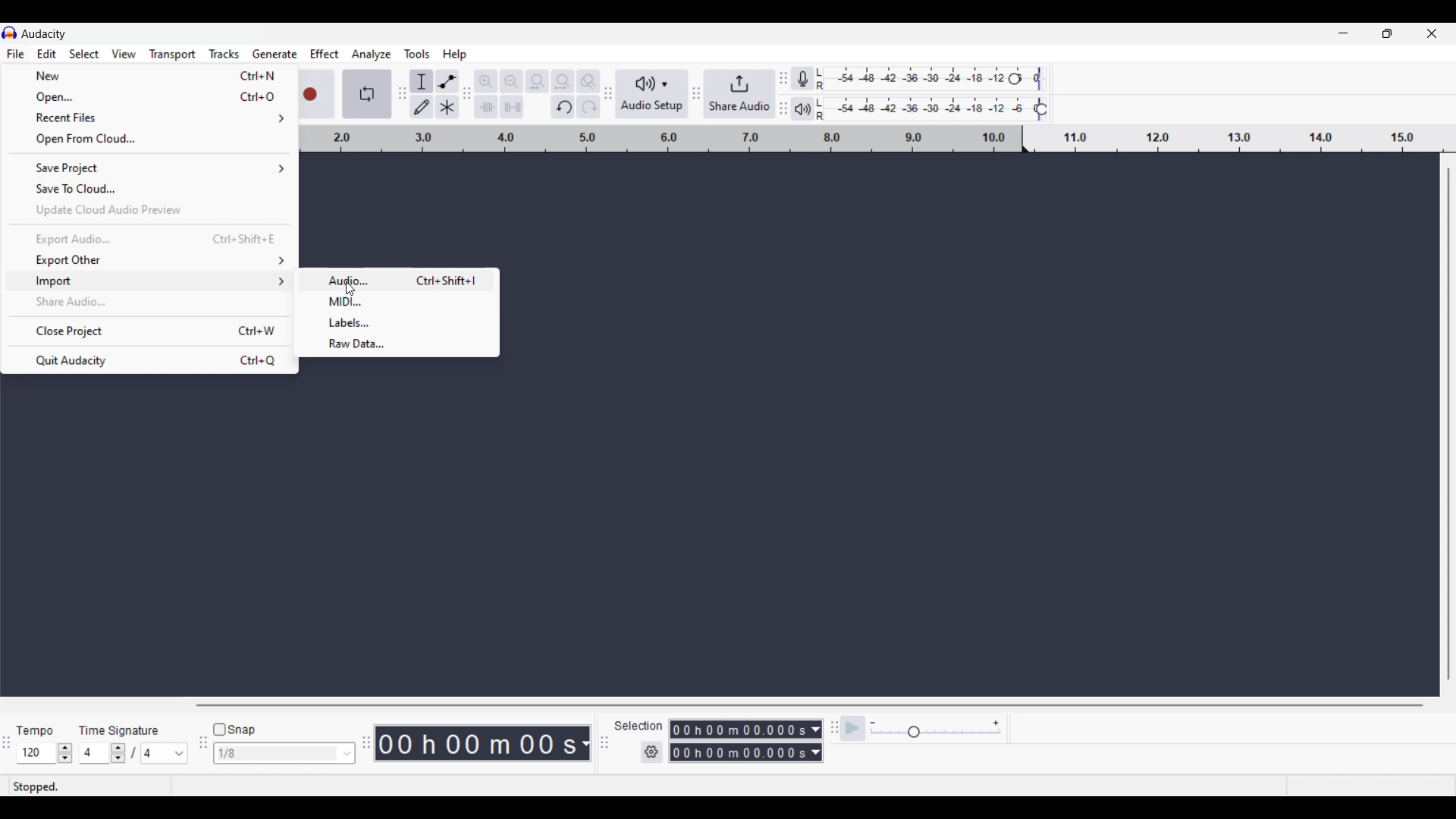 Image resolution: width=1456 pixels, height=819 pixels. What do you see at coordinates (397, 323) in the screenshot?
I see `Labels` at bounding box center [397, 323].